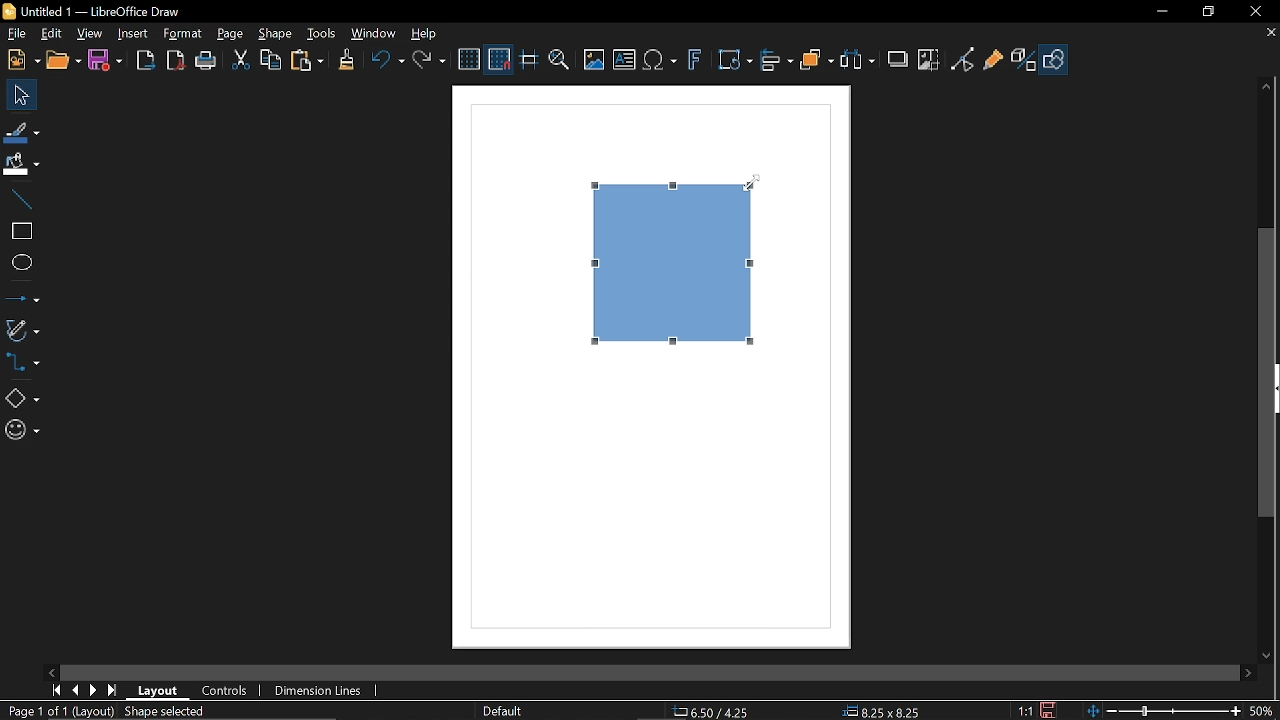  I want to click on Symbol shapes, so click(20, 432).